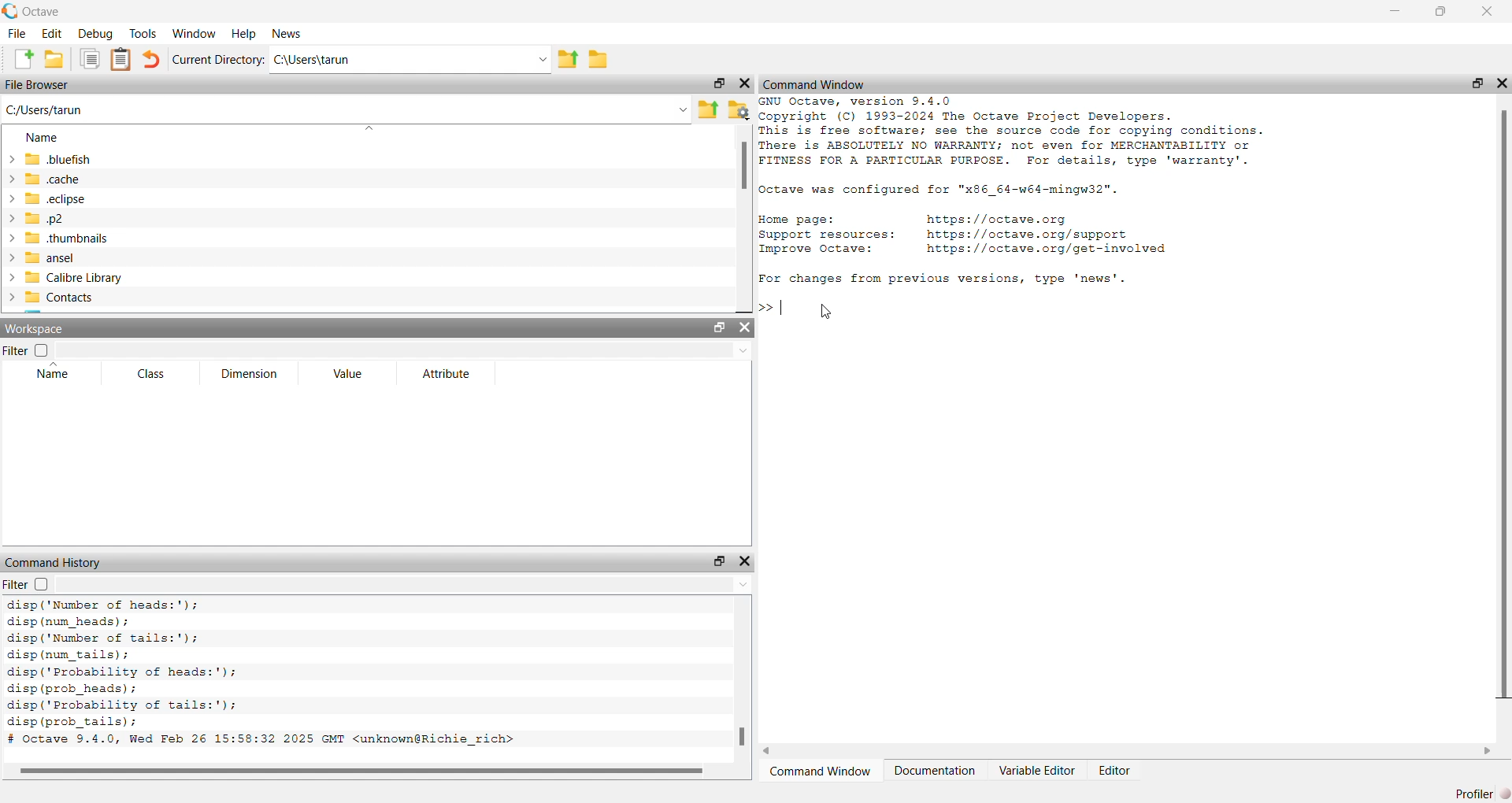  Describe the element at coordinates (150, 373) in the screenshot. I see `Class` at that location.